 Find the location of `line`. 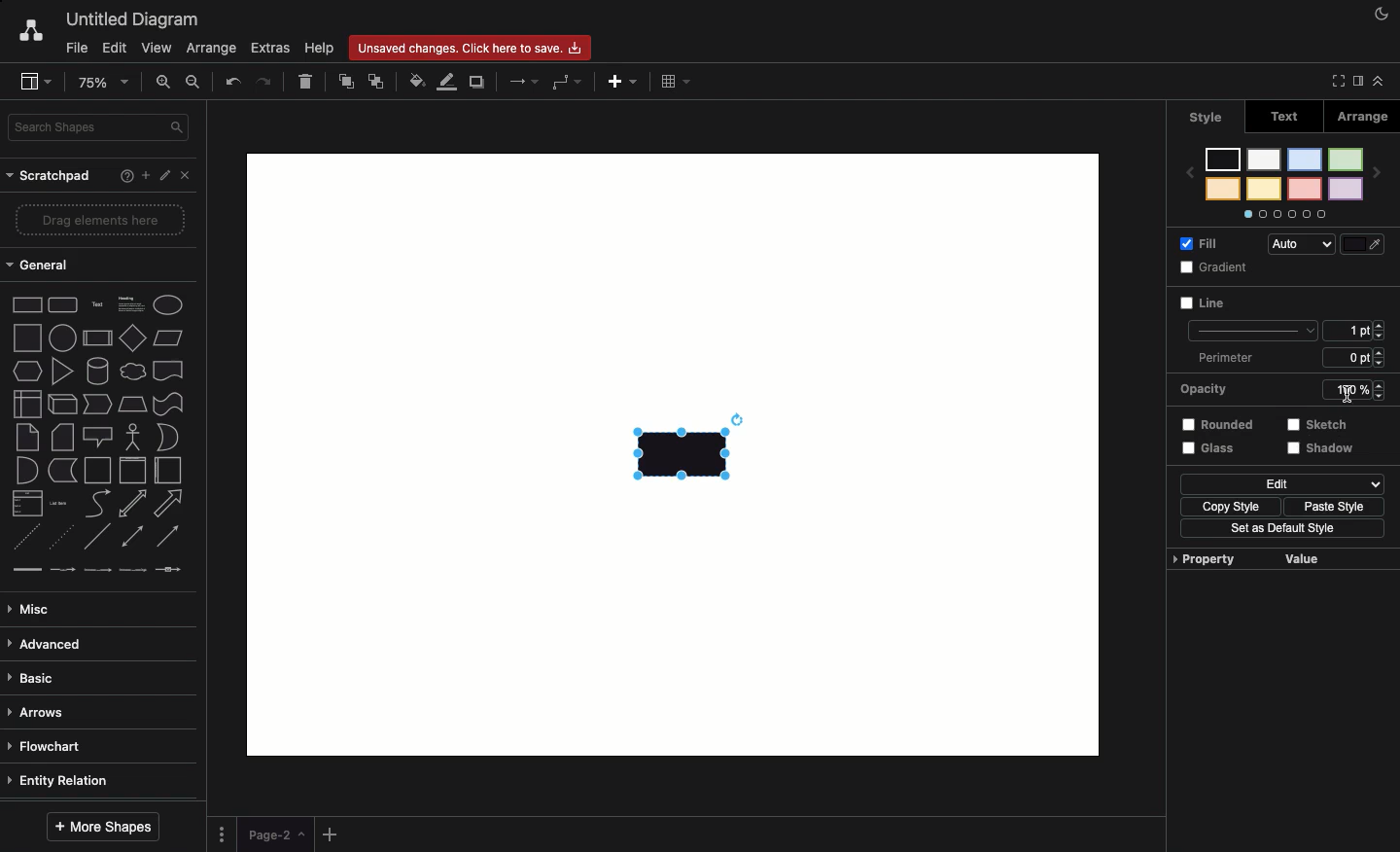

line is located at coordinates (96, 538).